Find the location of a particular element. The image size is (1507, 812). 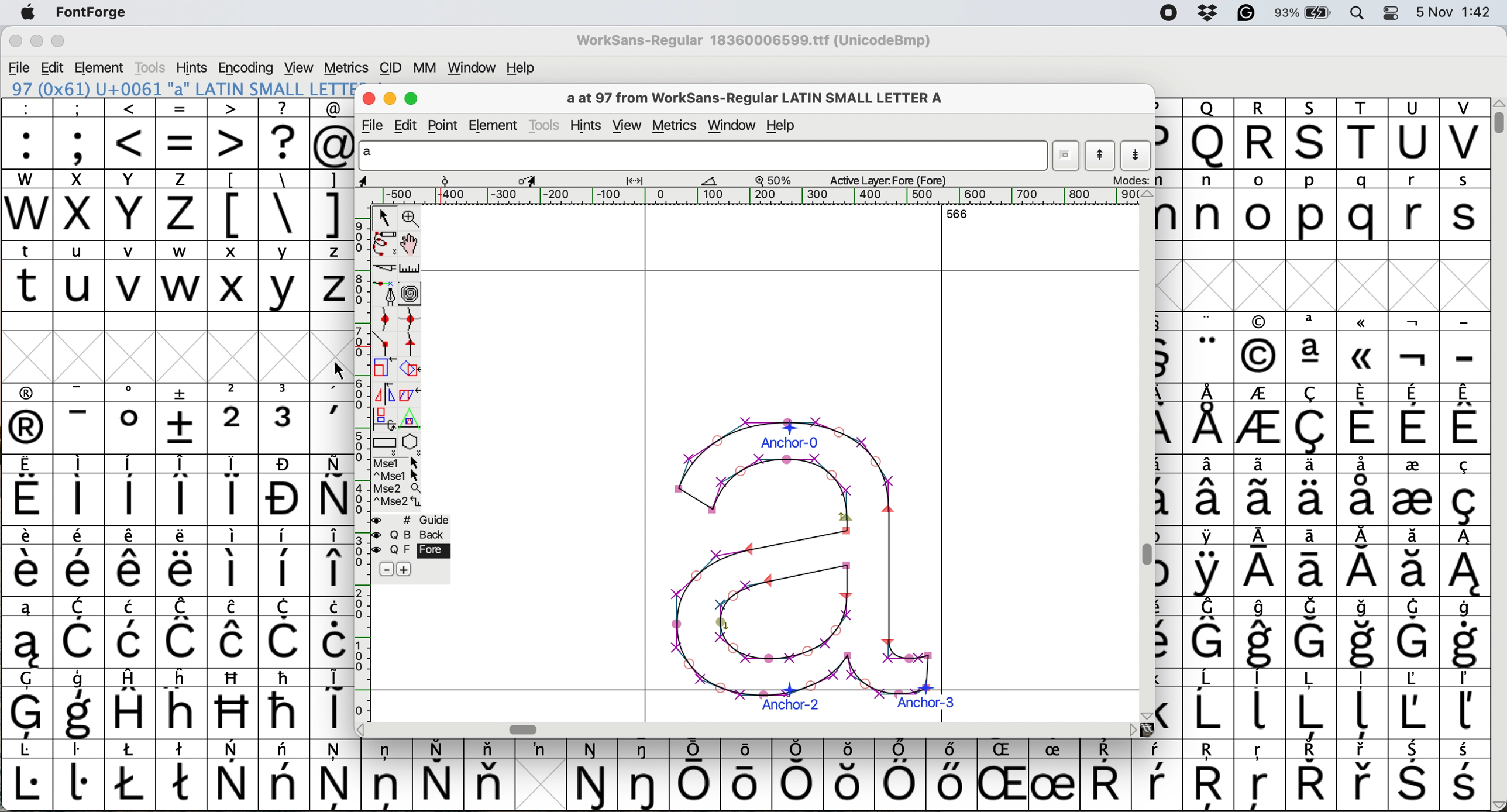

symbol is located at coordinates (232, 632).